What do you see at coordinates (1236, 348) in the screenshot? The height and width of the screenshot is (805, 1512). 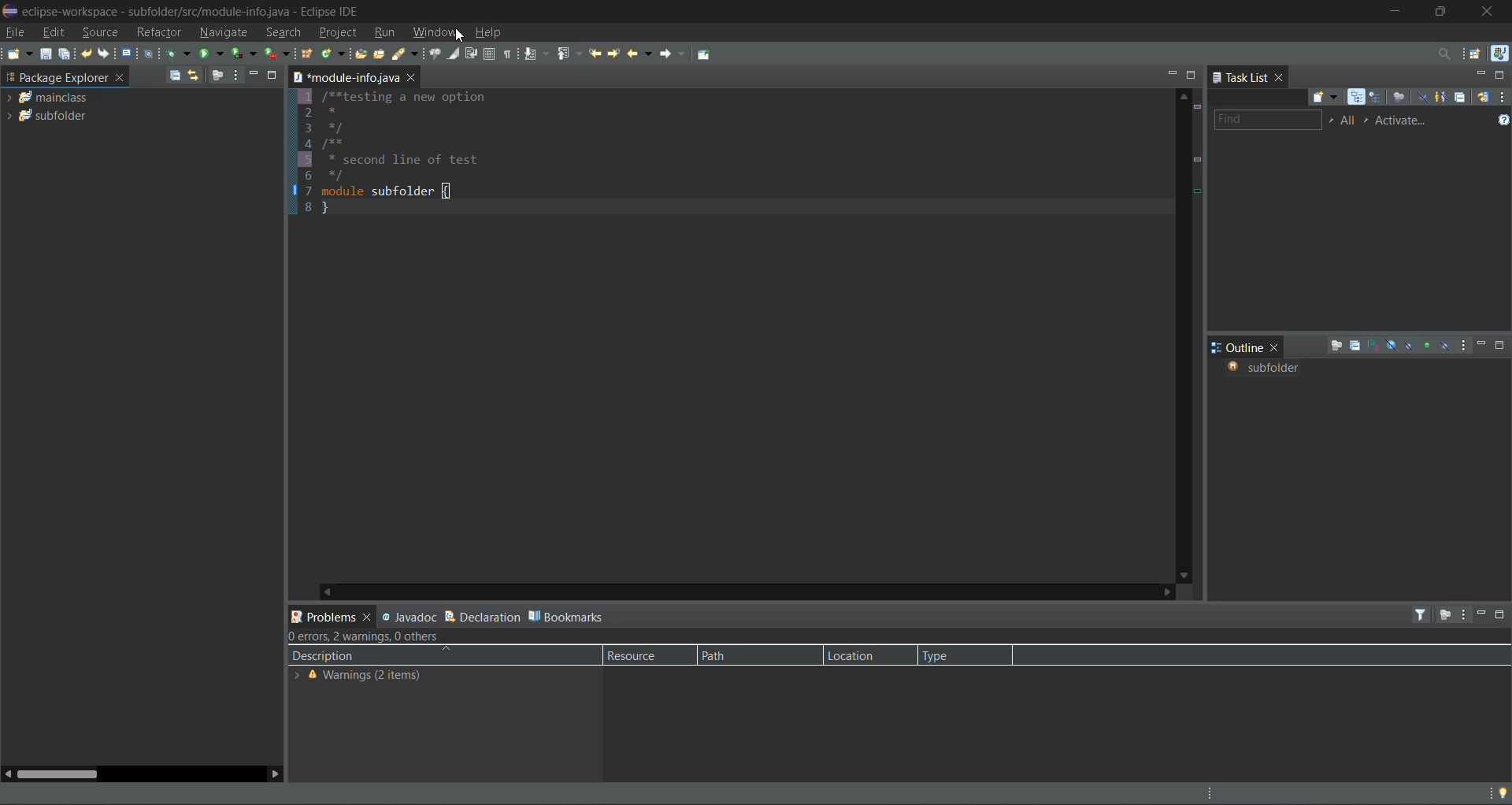 I see `outline` at bounding box center [1236, 348].